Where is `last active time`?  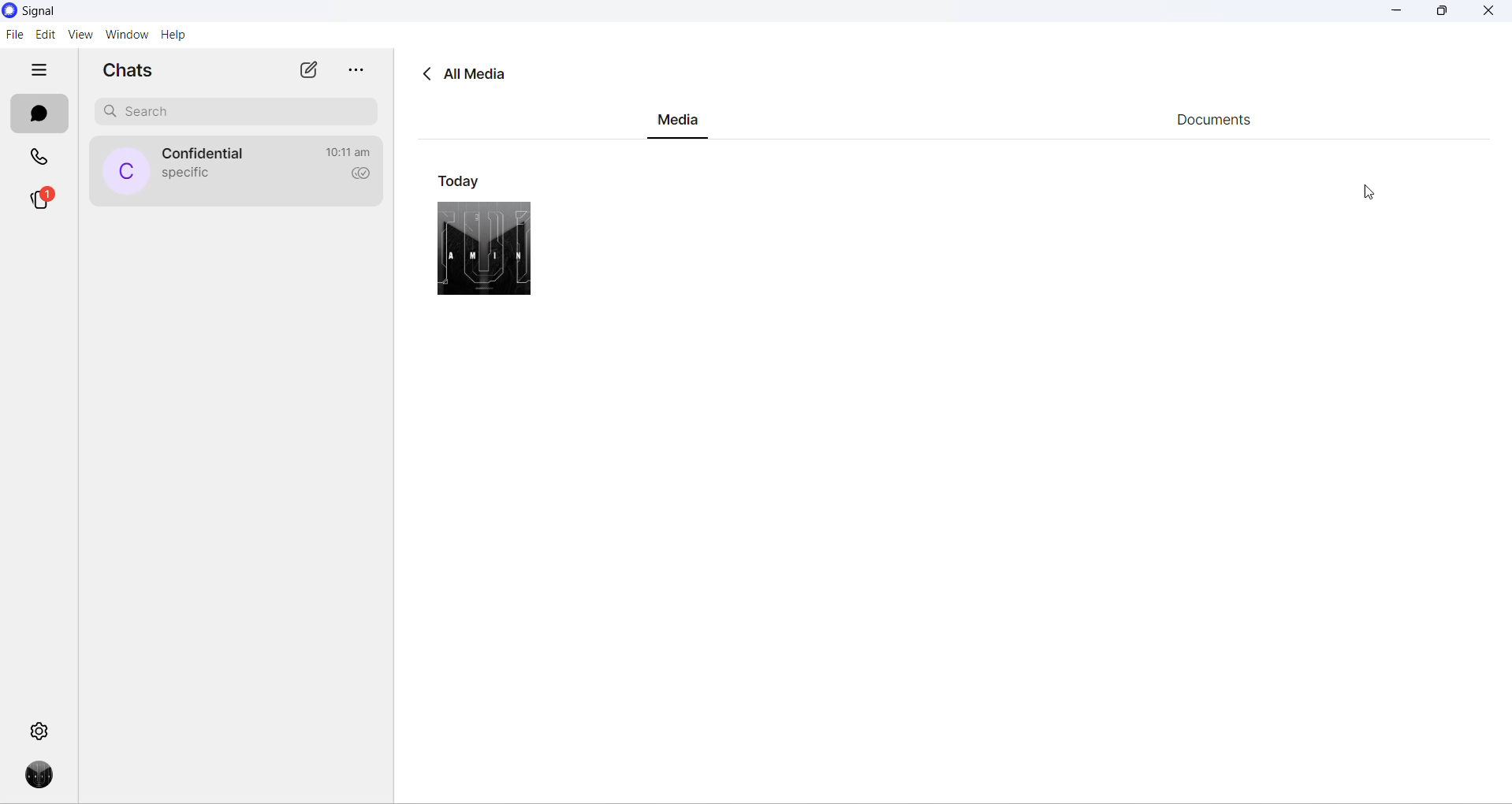
last active time is located at coordinates (352, 151).